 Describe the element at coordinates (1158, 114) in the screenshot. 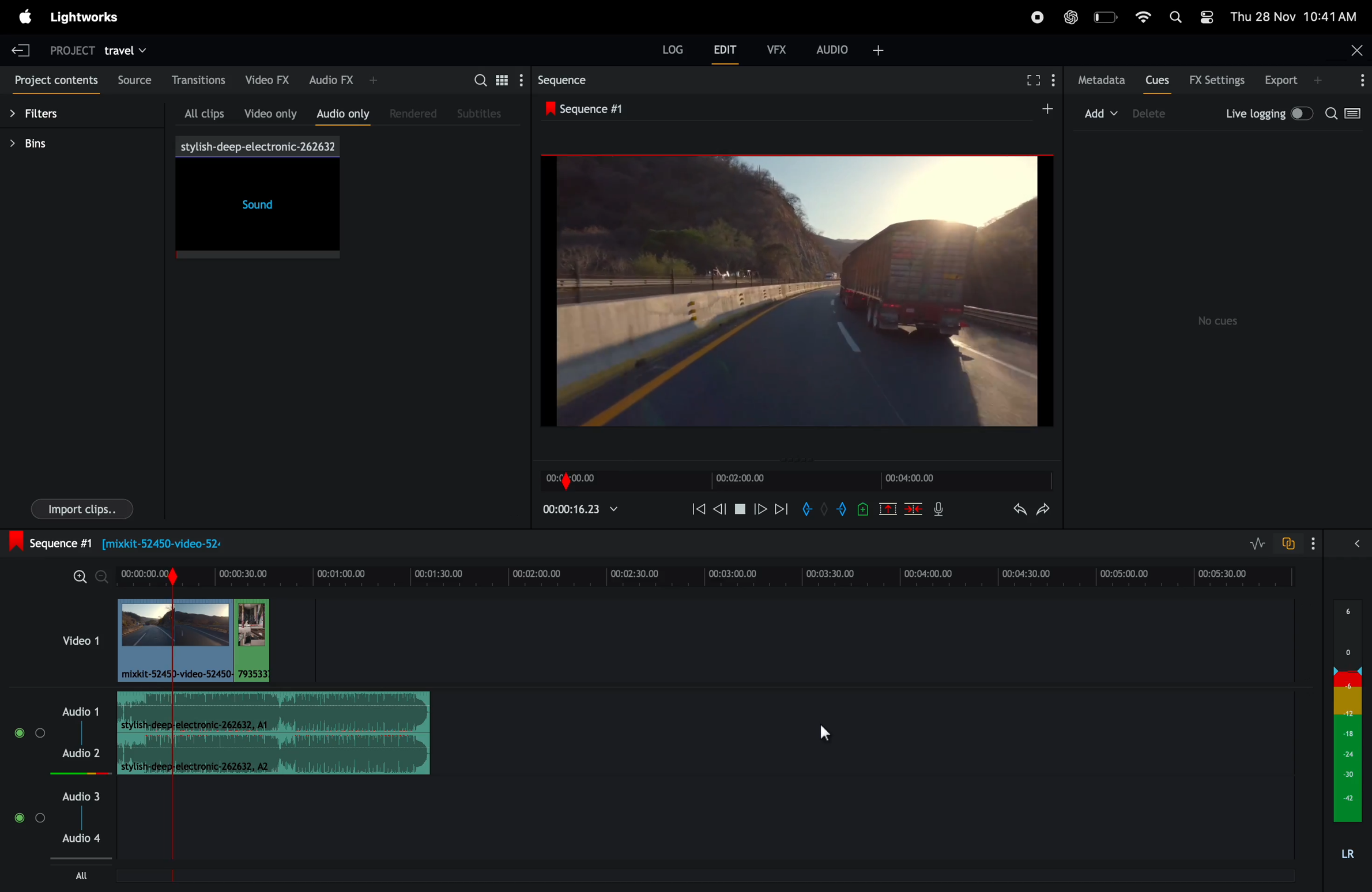

I see `delete` at that location.